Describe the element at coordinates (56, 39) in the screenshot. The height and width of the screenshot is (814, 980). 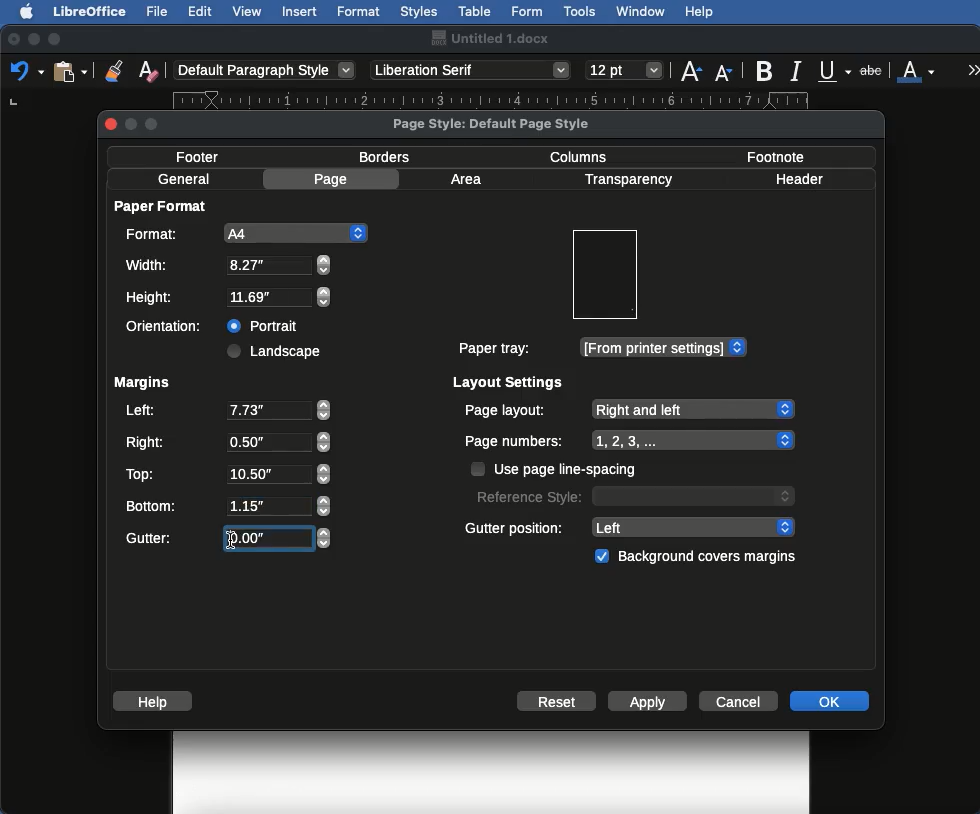
I see `Maximize` at that location.